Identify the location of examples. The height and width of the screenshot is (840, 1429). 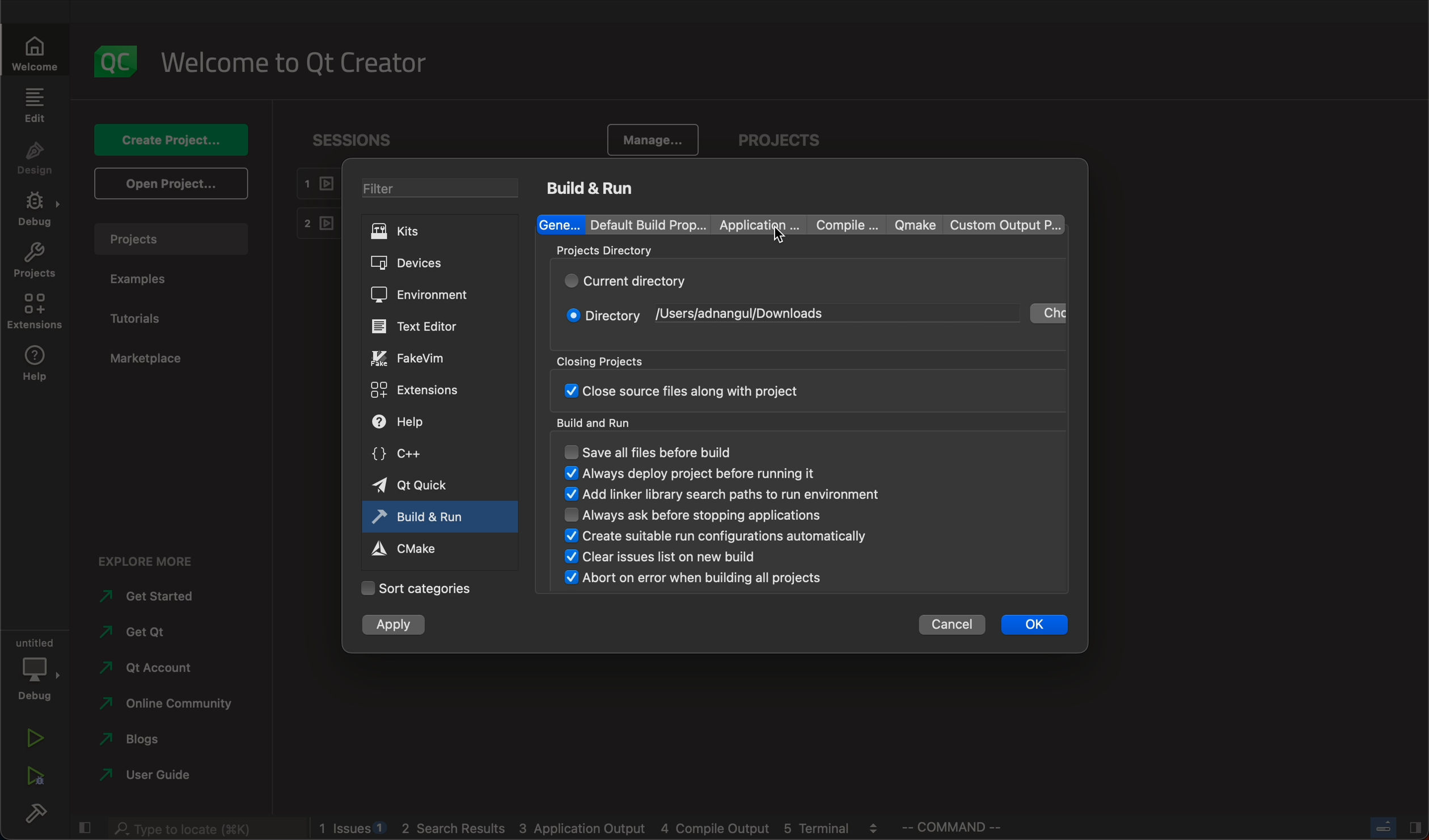
(139, 277).